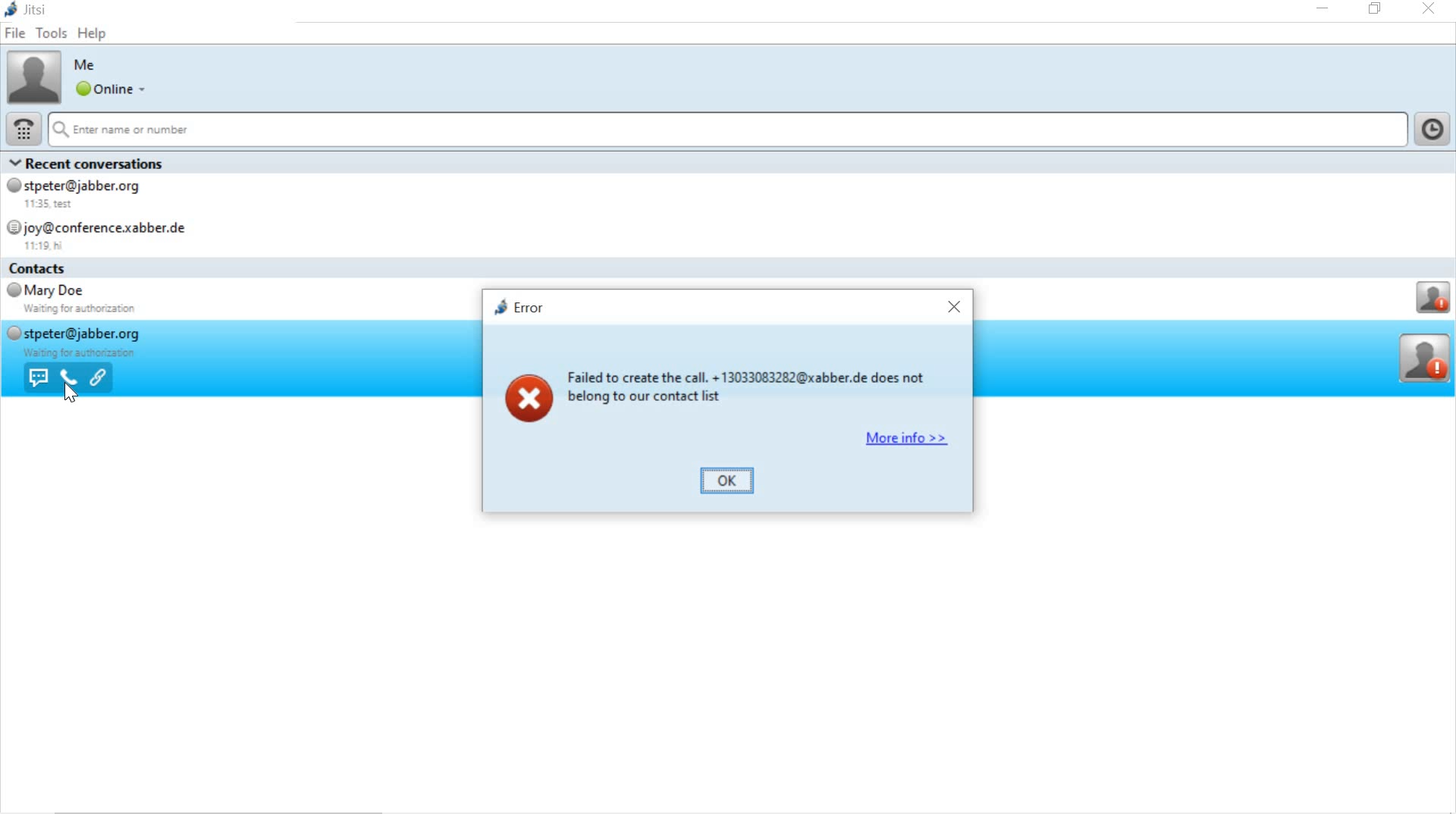 The width and height of the screenshot is (1456, 814). Describe the element at coordinates (71, 393) in the screenshot. I see `cursor` at that location.